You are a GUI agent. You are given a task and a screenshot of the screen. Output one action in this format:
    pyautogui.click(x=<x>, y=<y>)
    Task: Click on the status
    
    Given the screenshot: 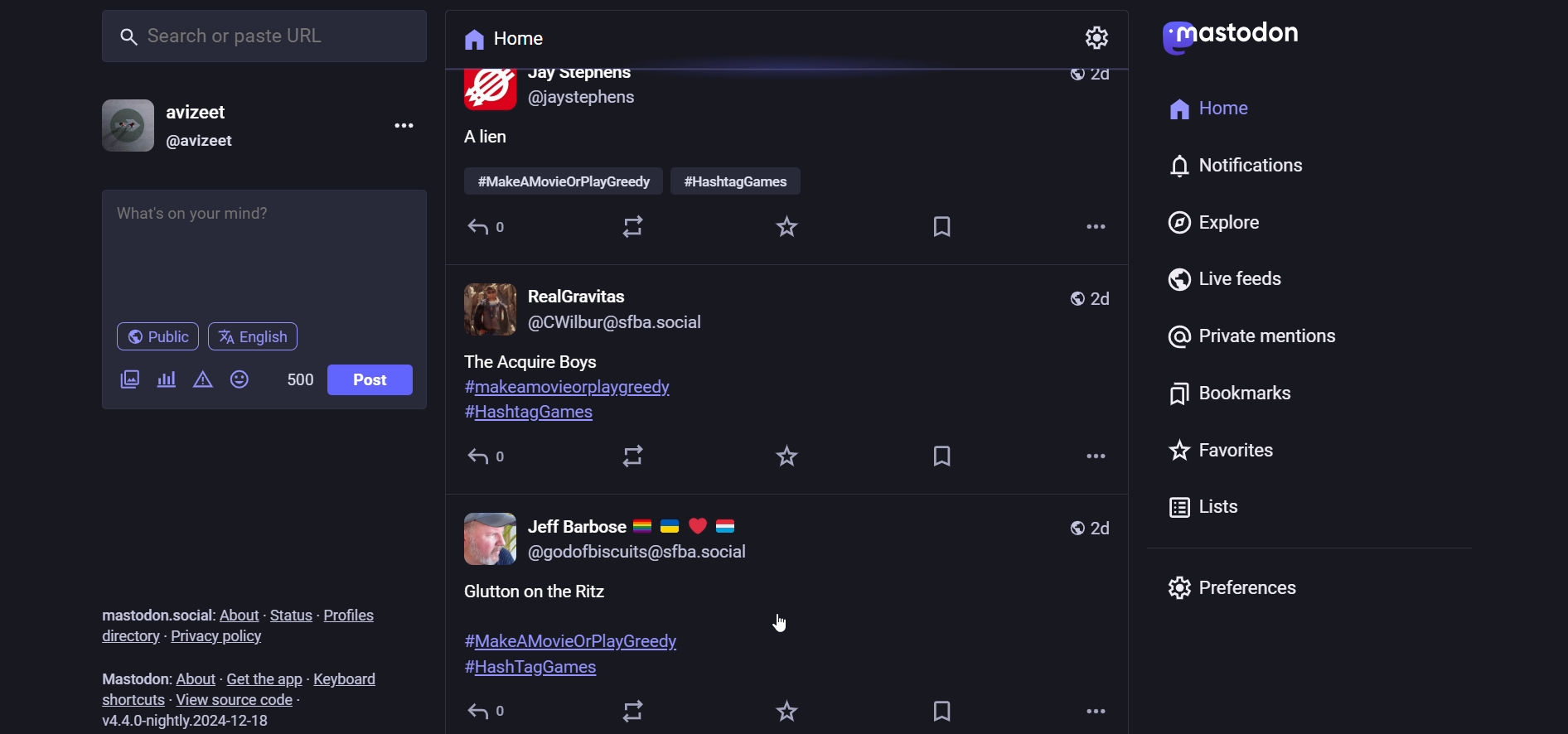 What is the action you would take?
    pyautogui.click(x=289, y=616)
    